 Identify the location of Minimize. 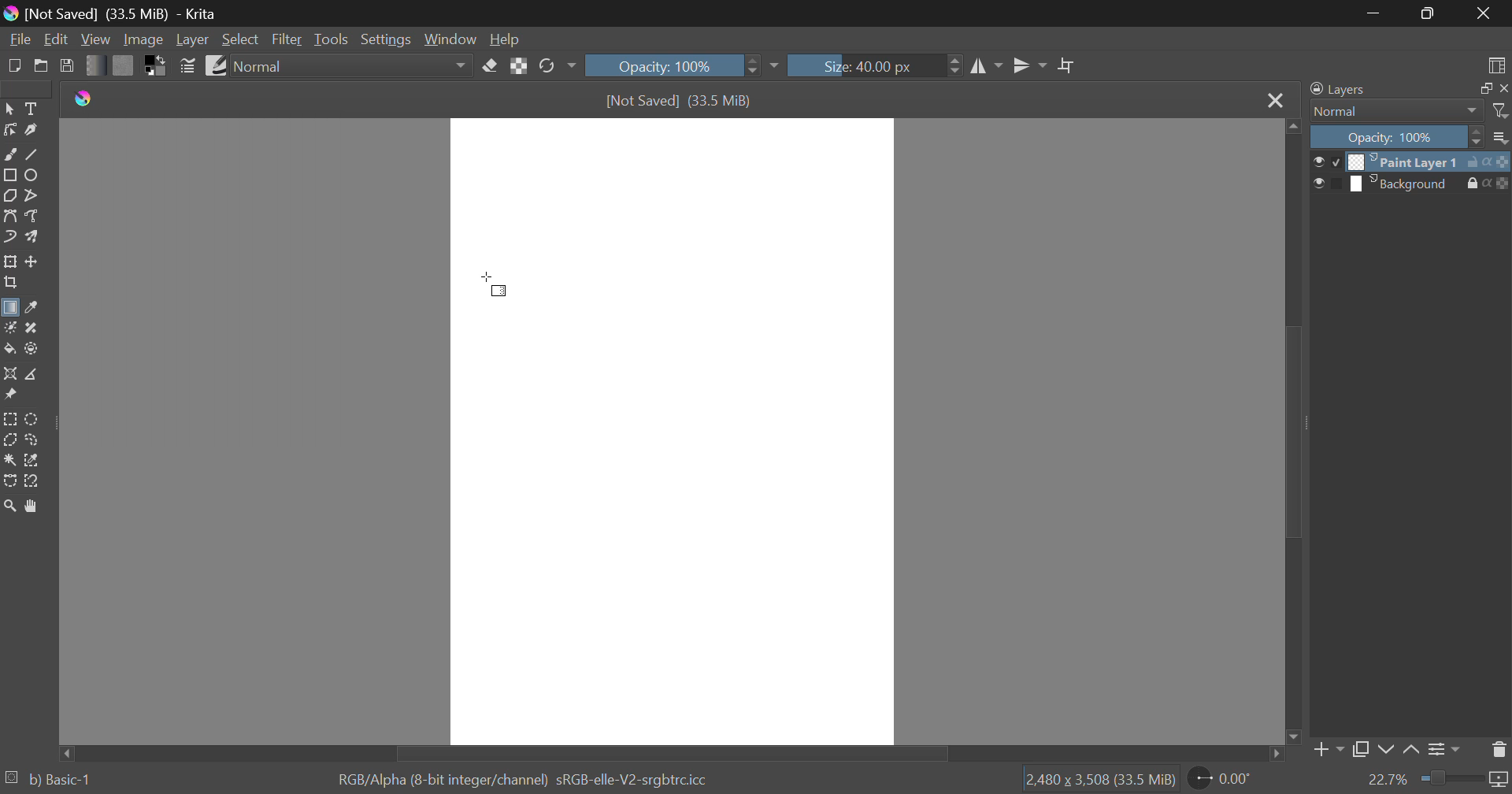
(1430, 15).